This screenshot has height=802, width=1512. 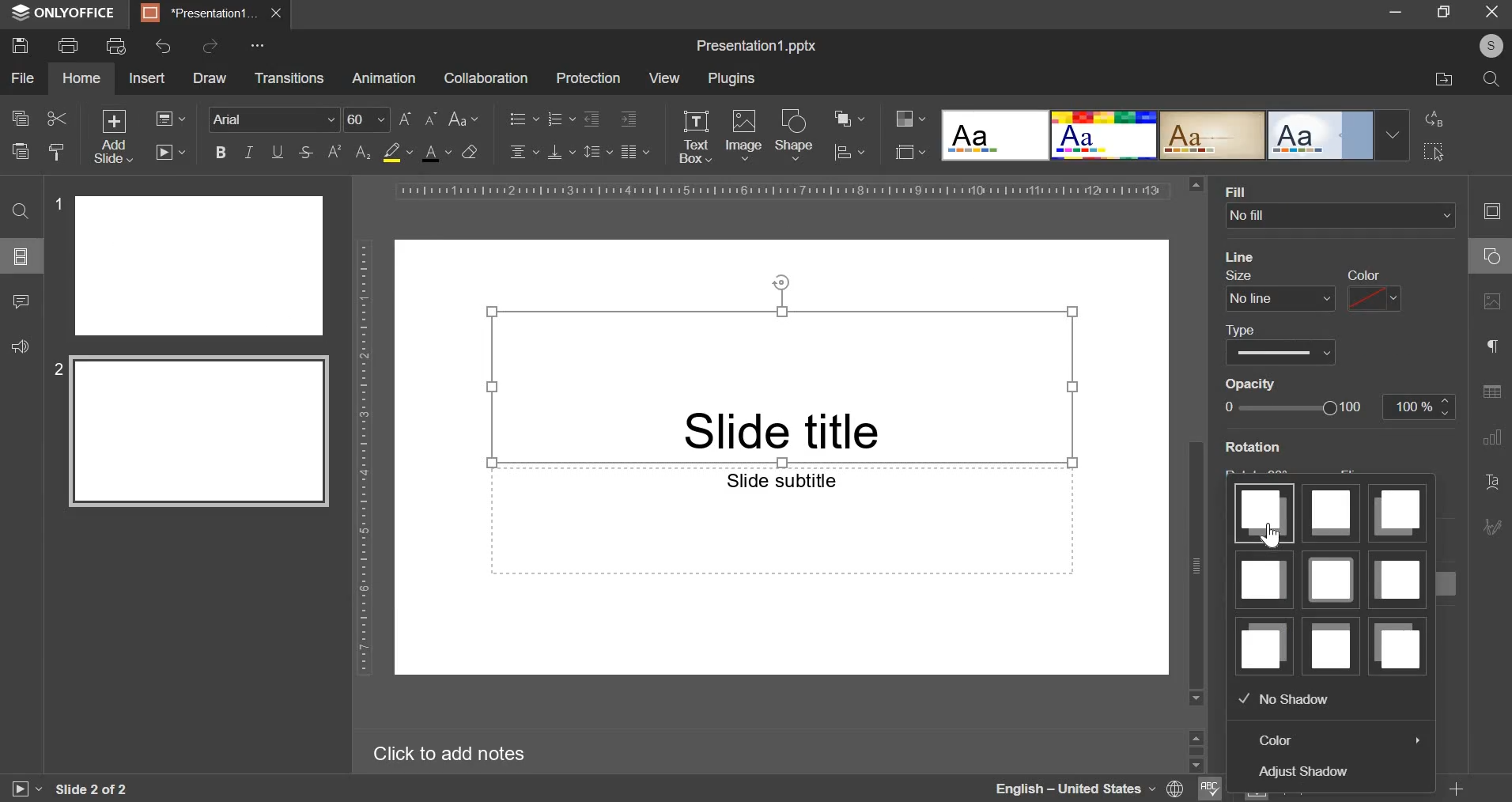 I want to click on click to add notes, so click(x=460, y=753).